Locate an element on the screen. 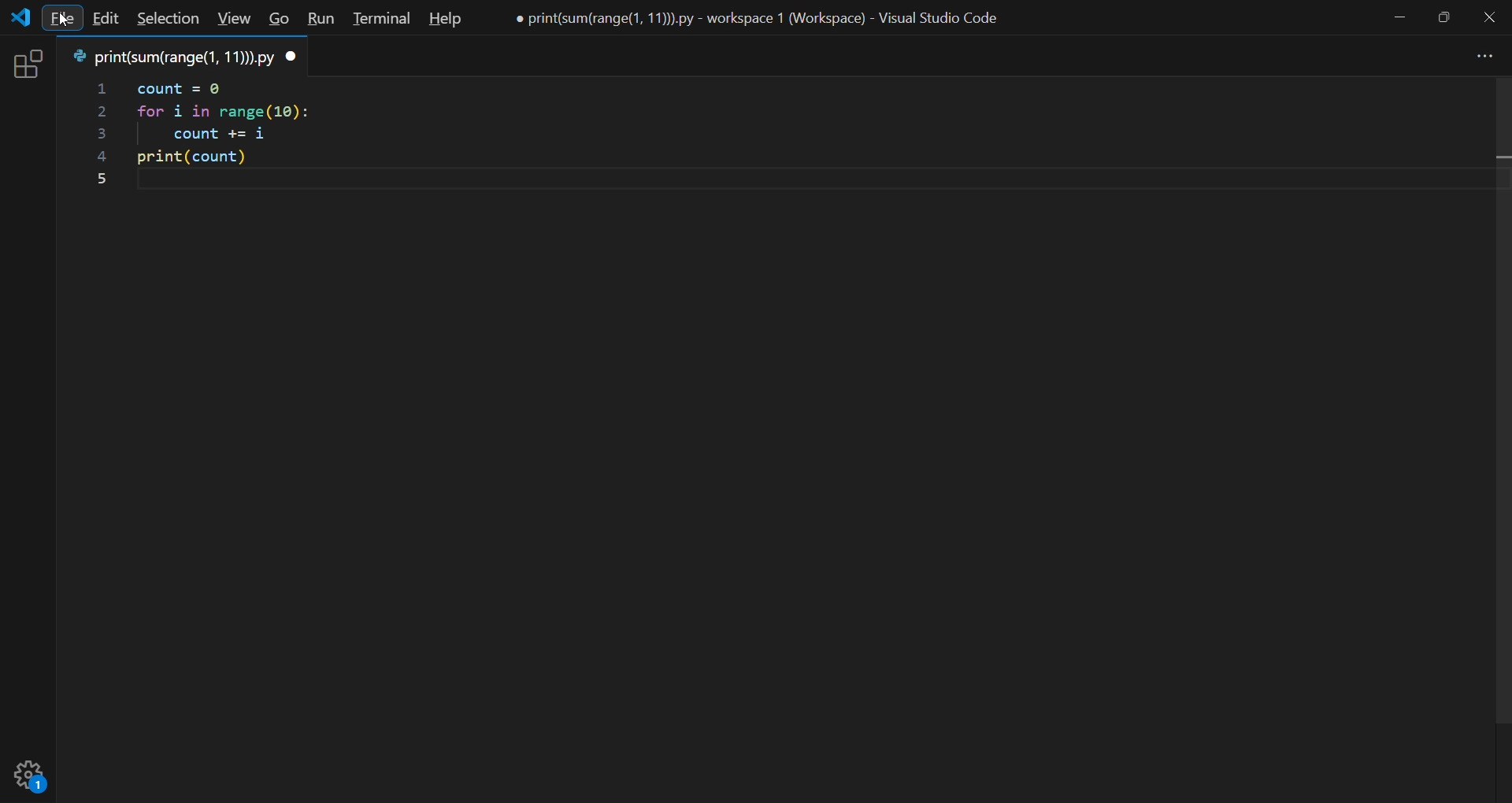  close tab is located at coordinates (291, 57).